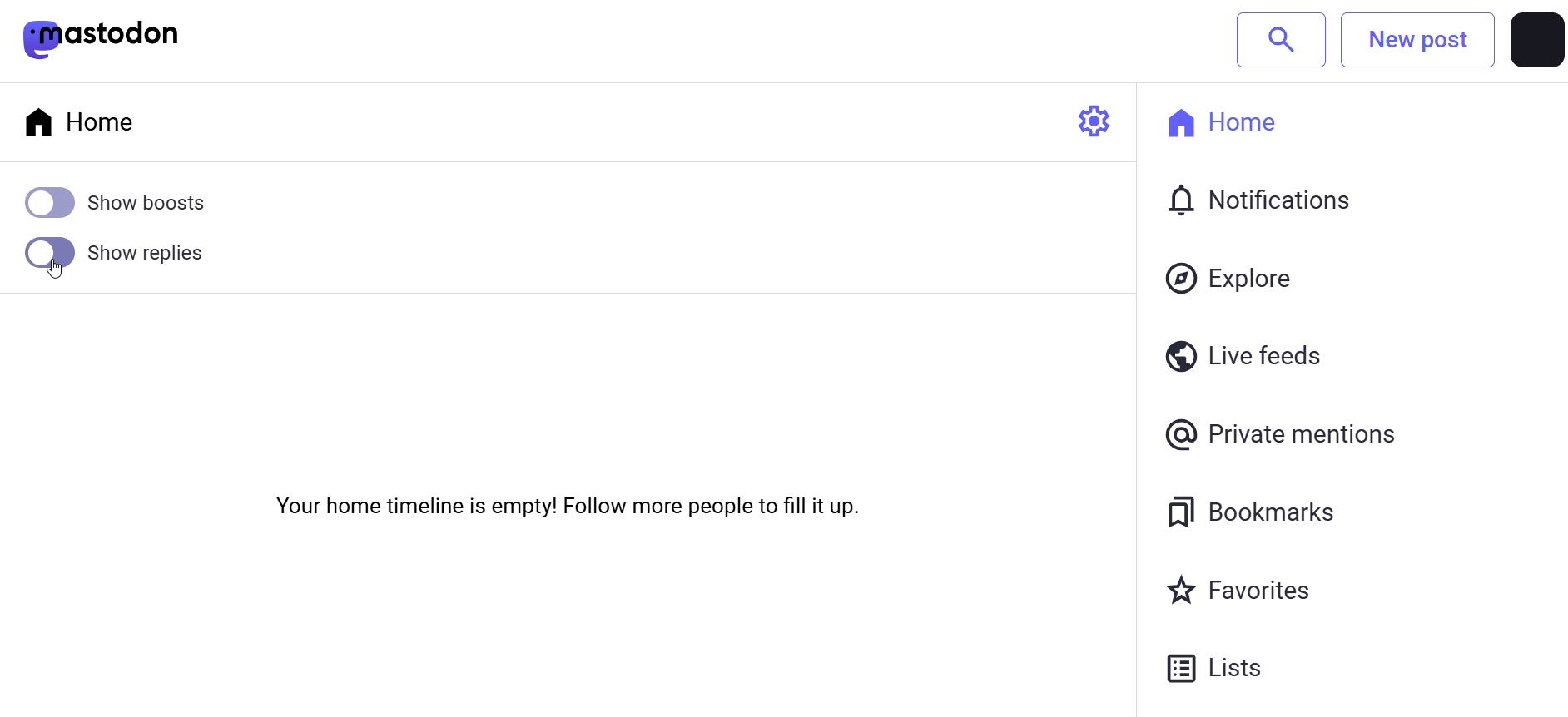  What do you see at coordinates (133, 200) in the screenshot?
I see `show boost disabled` at bounding box center [133, 200].